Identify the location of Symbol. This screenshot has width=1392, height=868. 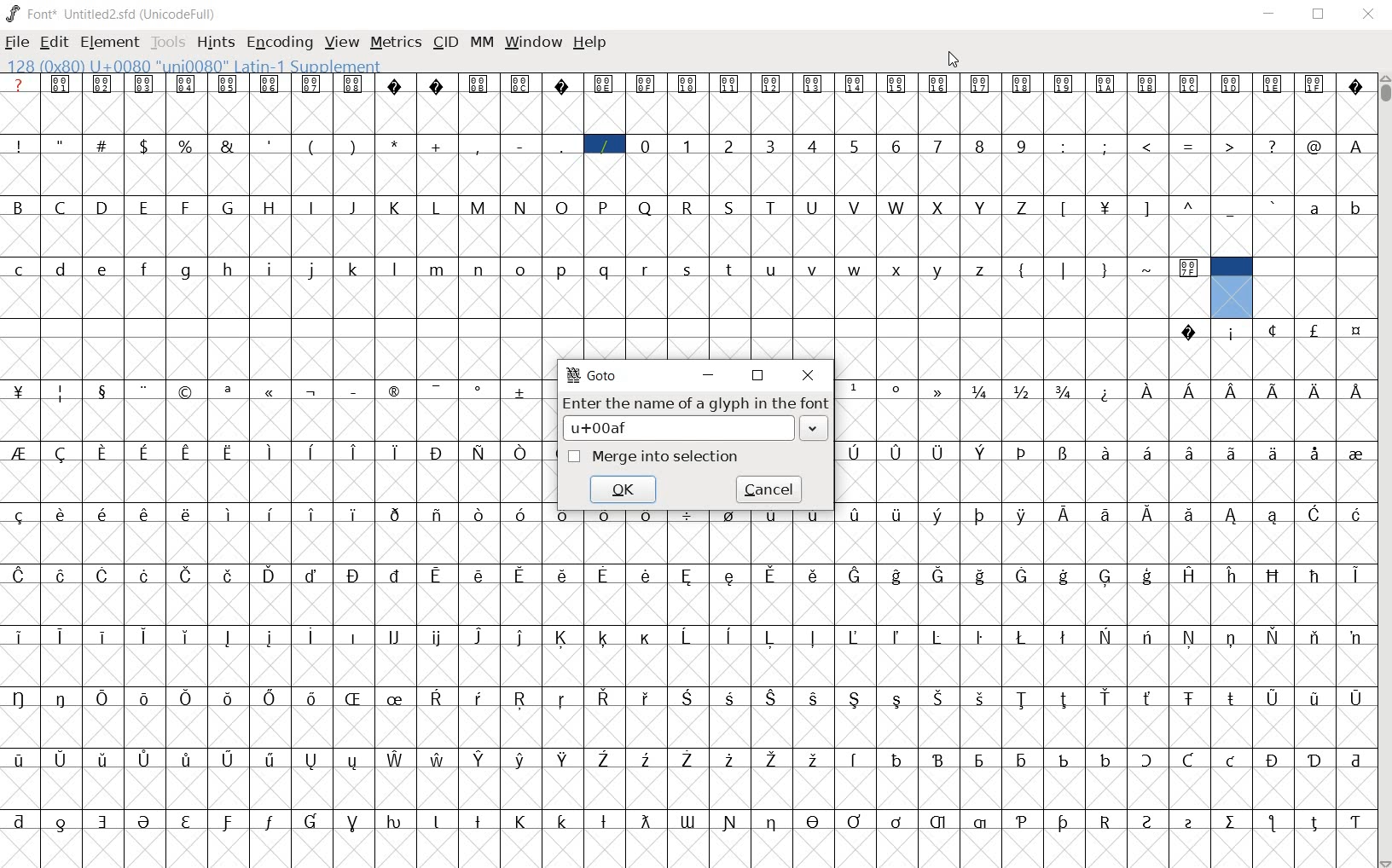
(604, 819).